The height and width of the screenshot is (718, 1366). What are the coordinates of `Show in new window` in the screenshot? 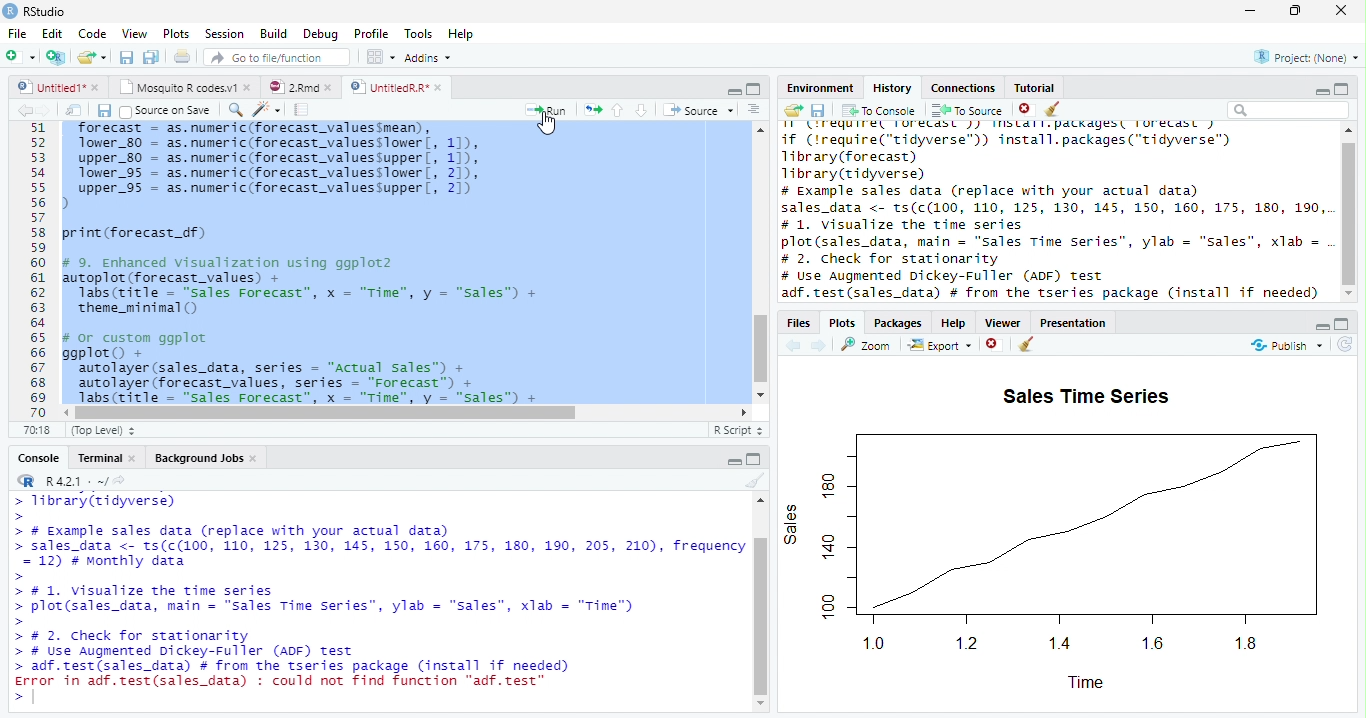 It's located at (74, 110).